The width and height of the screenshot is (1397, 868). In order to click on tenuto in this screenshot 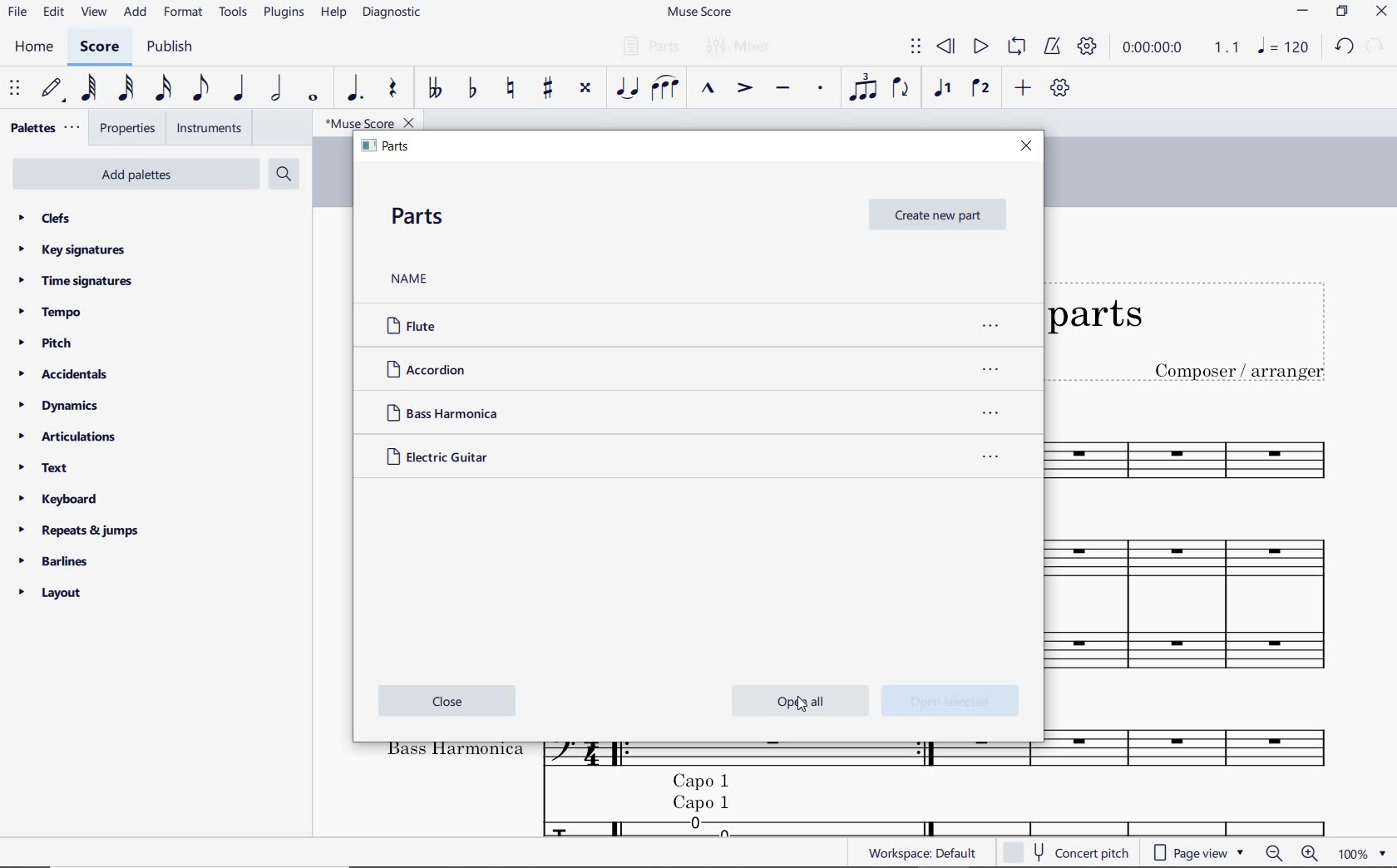, I will do `click(782, 89)`.